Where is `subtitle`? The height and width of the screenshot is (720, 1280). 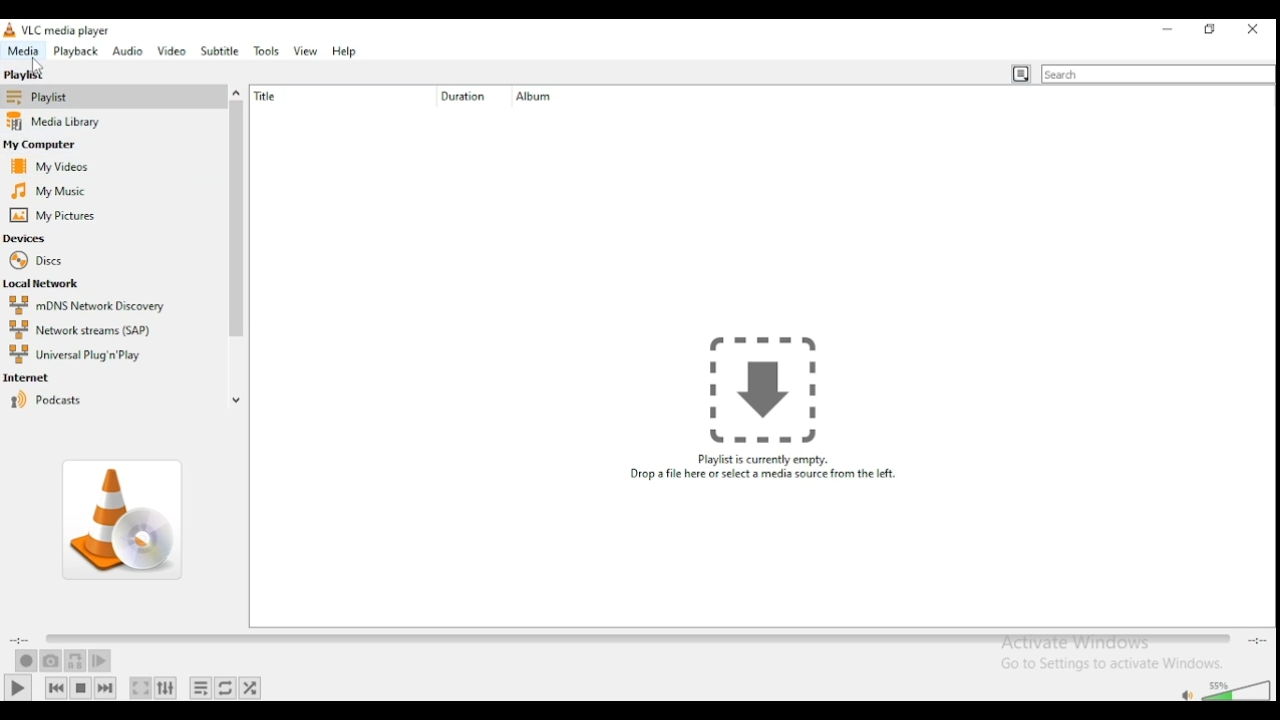 subtitle is located at coordinates (221, 51).